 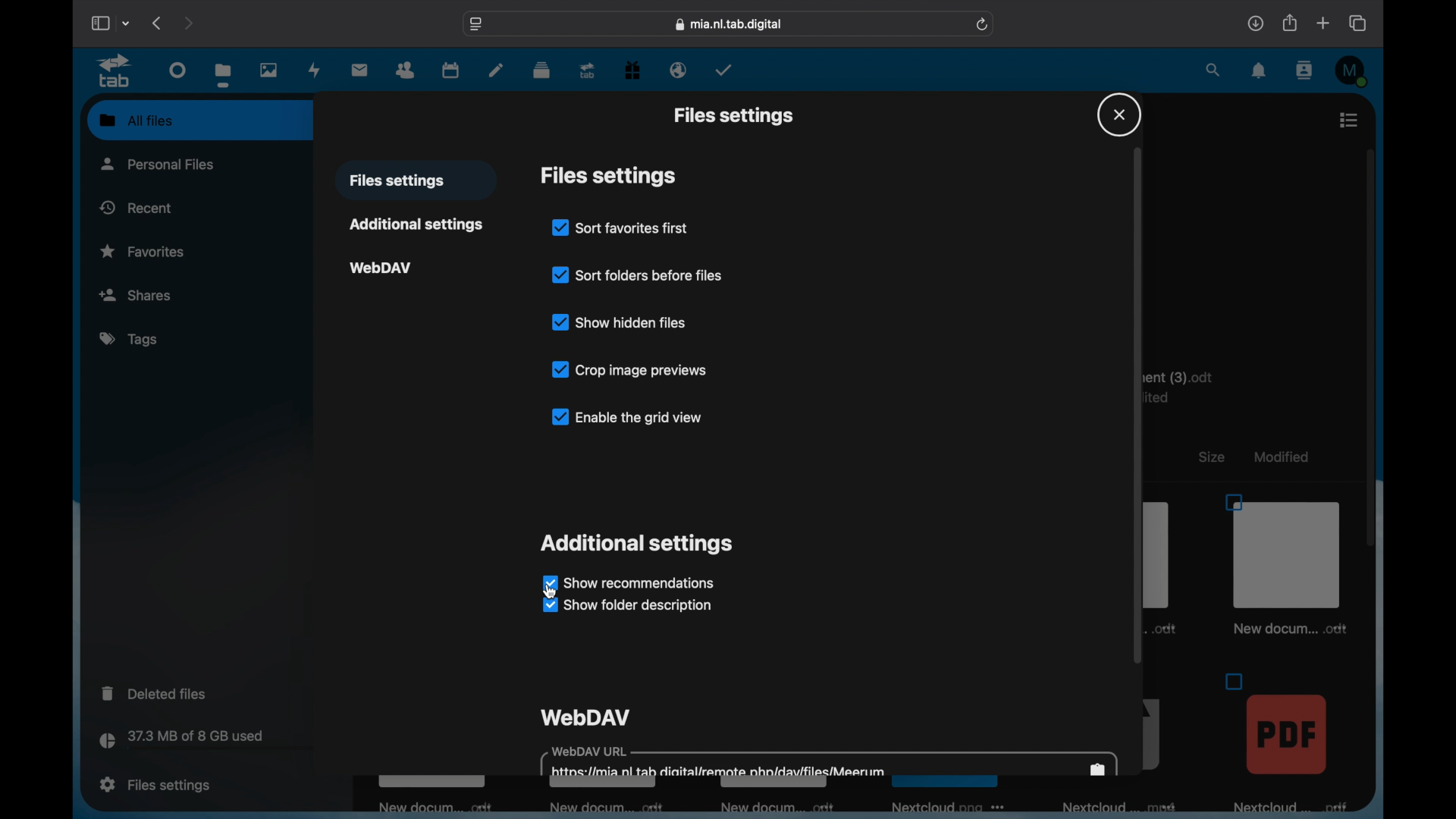 What do you see at coordinates (946, 807) in the screenshot?
I see `next cloud` at bounding box center [946, 807].